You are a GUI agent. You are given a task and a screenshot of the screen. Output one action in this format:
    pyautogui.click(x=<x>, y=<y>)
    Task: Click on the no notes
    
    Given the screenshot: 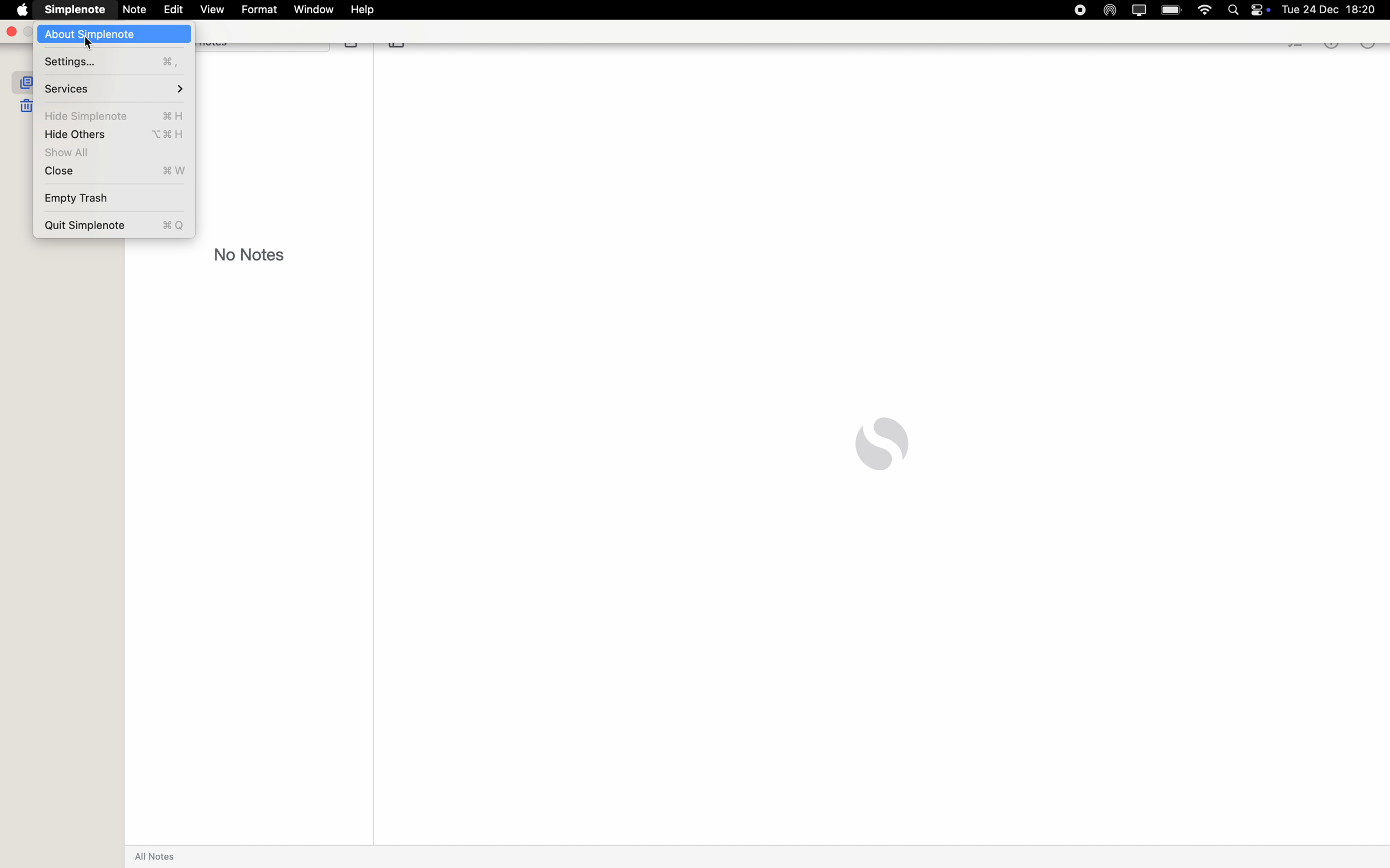 What is the action you would take?
    pyautogui.click(x=250, y=254)
    